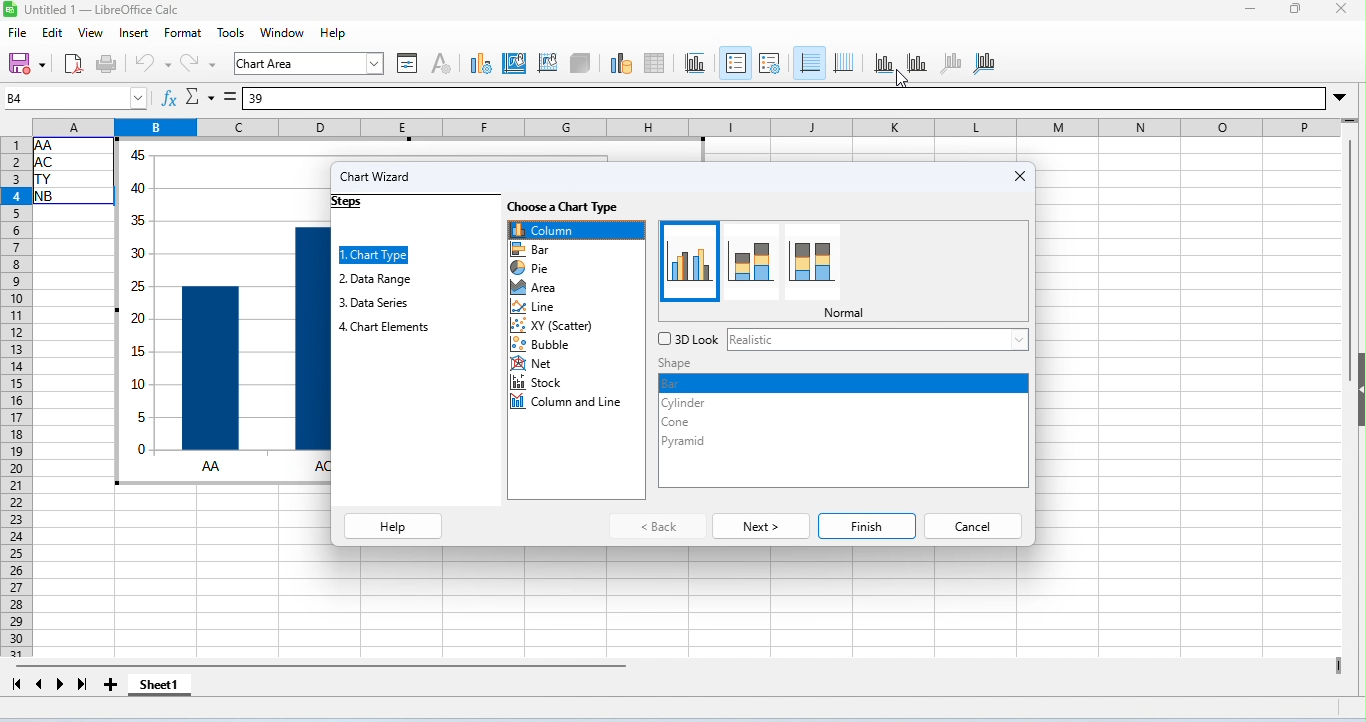  Describe the element at coordinates (844, 384) in the screenshot. I see `bar` at that location.